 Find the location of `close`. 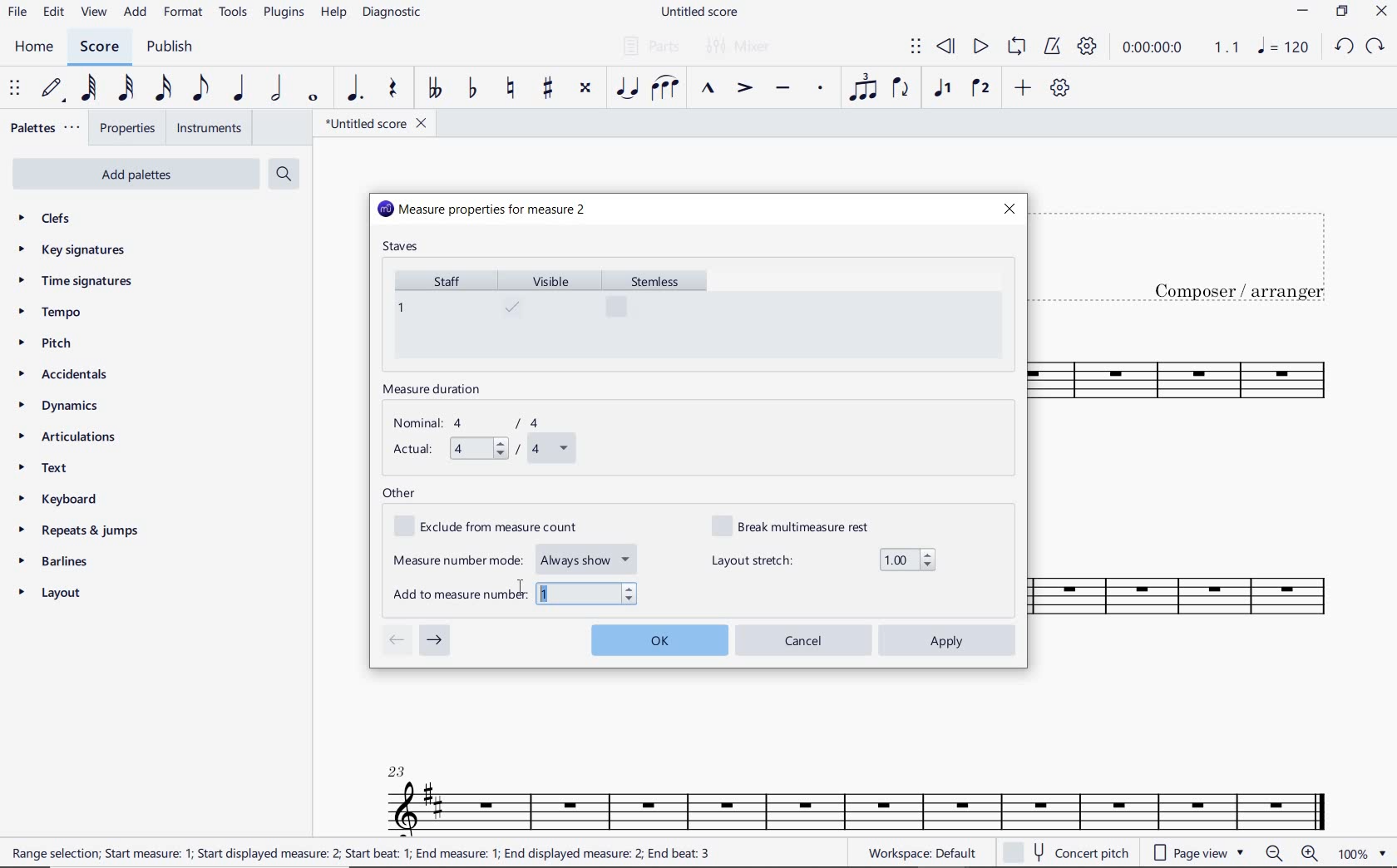

close is located at coordinates (1009, 209).